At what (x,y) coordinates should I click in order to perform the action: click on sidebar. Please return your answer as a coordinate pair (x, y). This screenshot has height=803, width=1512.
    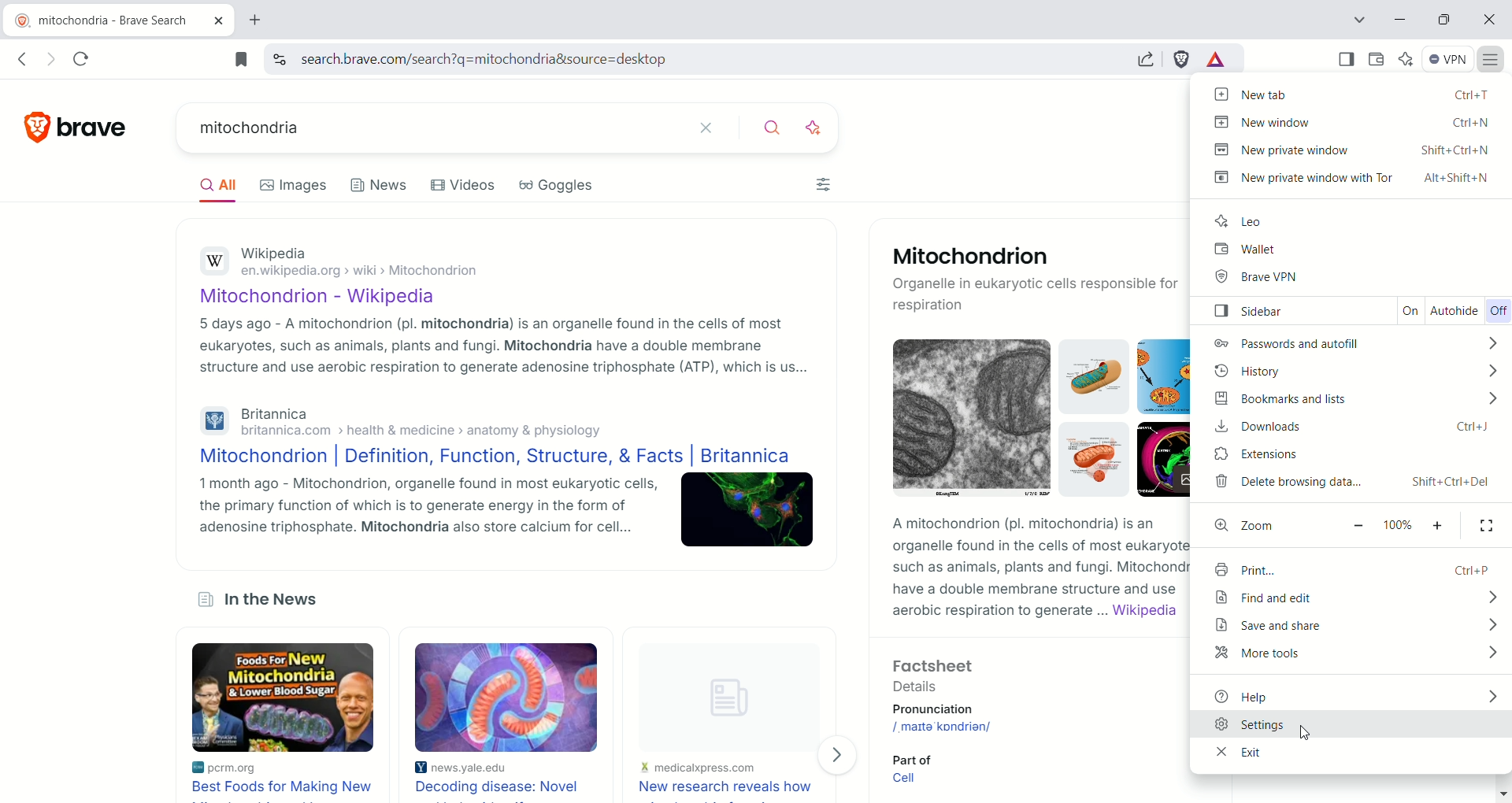
    Looking at the image, I should click on (1247, 314).